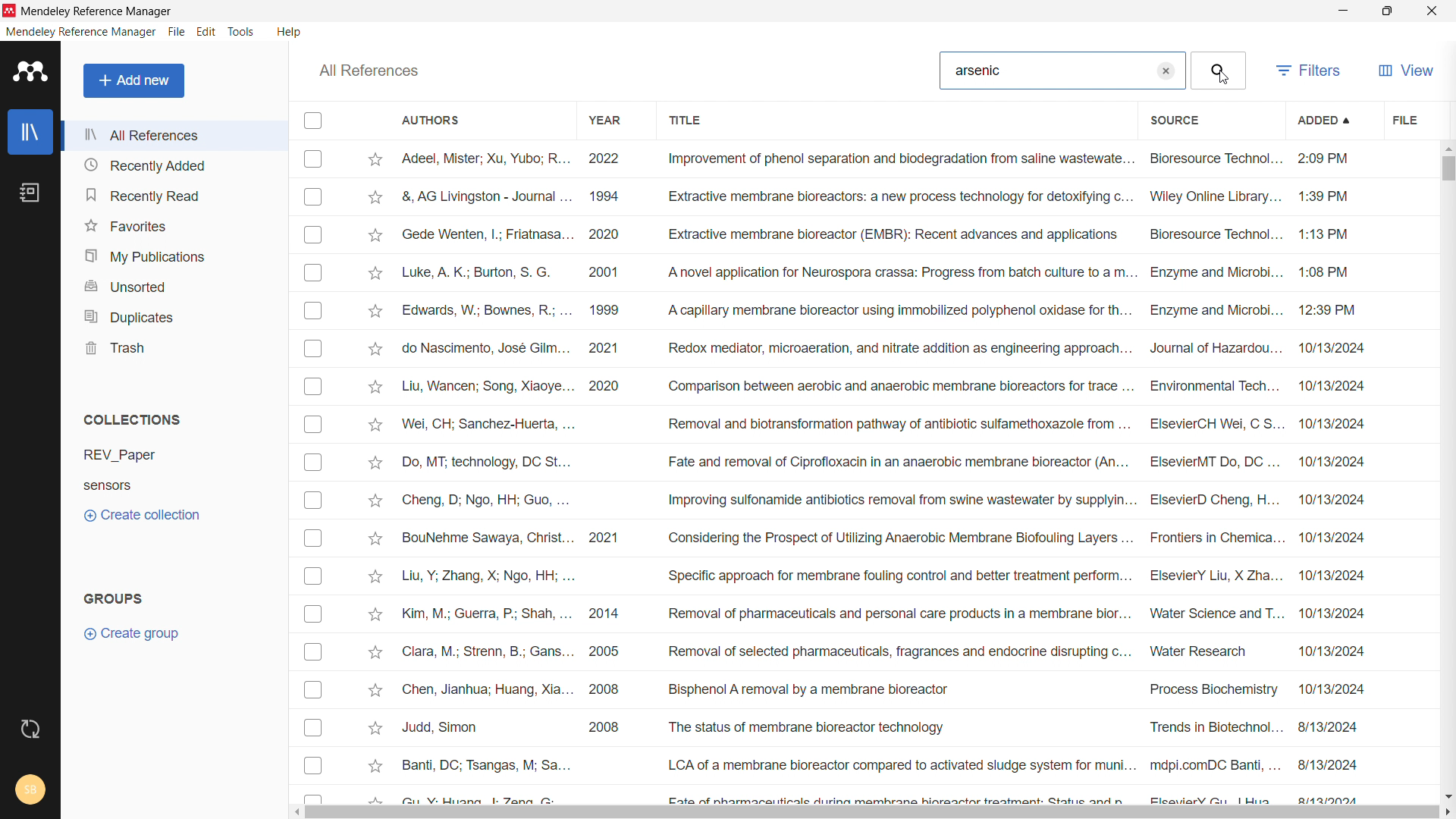 Image resolution: width=1456 pixels, height=819 pixels. Describe the element at coordinates (314, 541) in the screenshot. I see `Checkbox` at that location.